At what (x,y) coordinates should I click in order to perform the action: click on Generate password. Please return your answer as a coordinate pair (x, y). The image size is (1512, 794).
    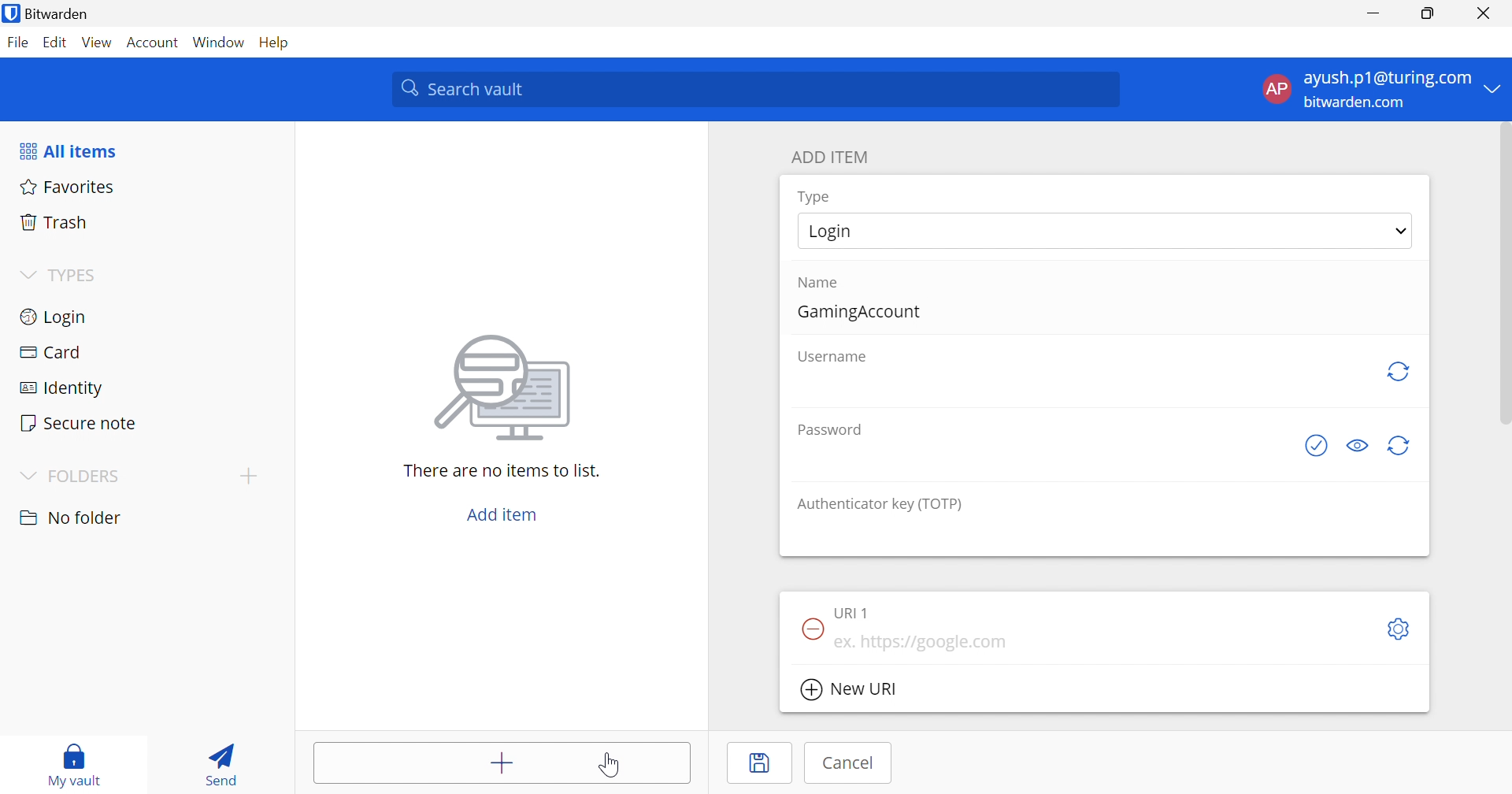
    Looking at the image, I should click on (1401, 445).